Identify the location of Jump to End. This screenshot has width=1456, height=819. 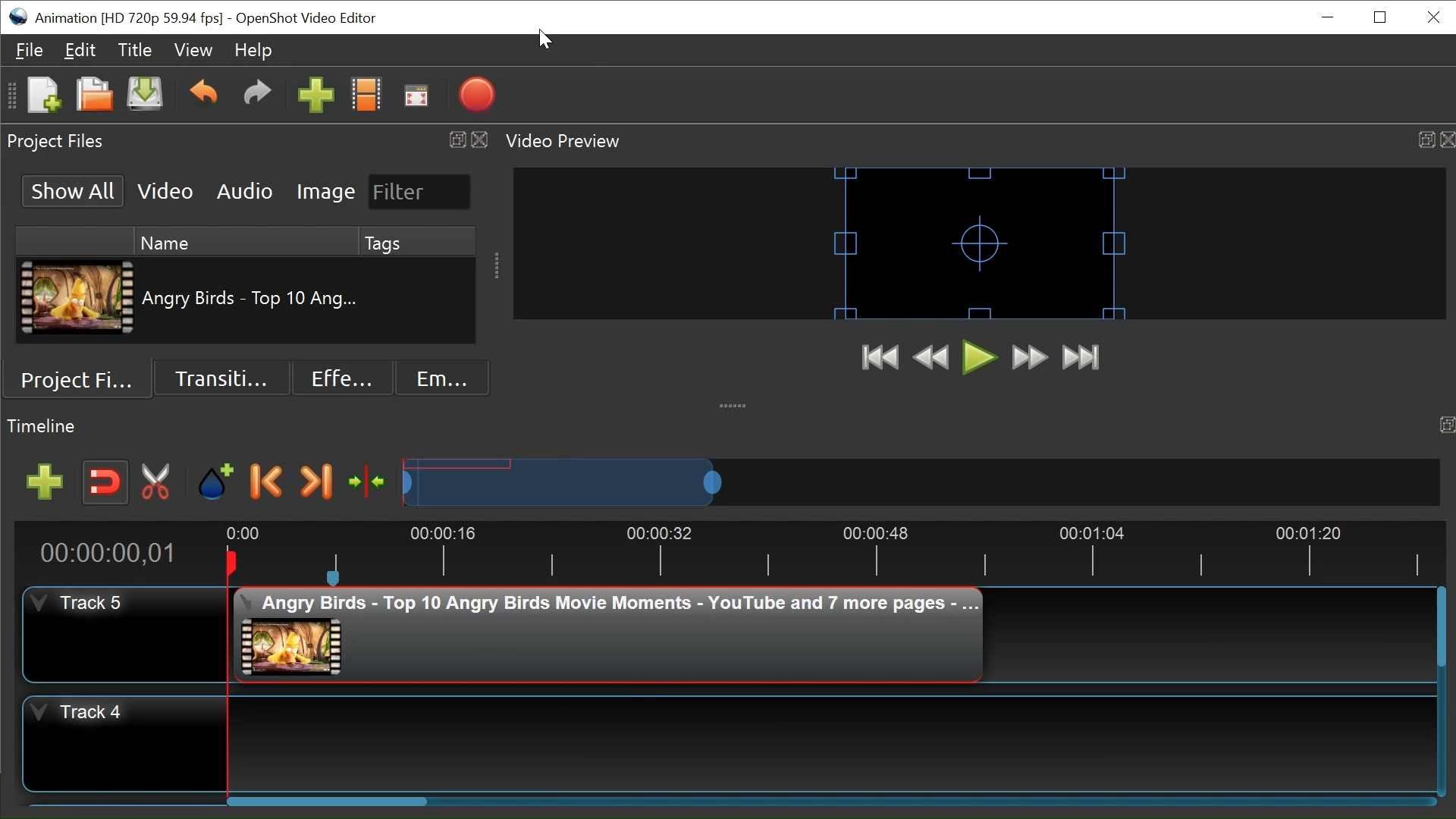
(1081, 359).